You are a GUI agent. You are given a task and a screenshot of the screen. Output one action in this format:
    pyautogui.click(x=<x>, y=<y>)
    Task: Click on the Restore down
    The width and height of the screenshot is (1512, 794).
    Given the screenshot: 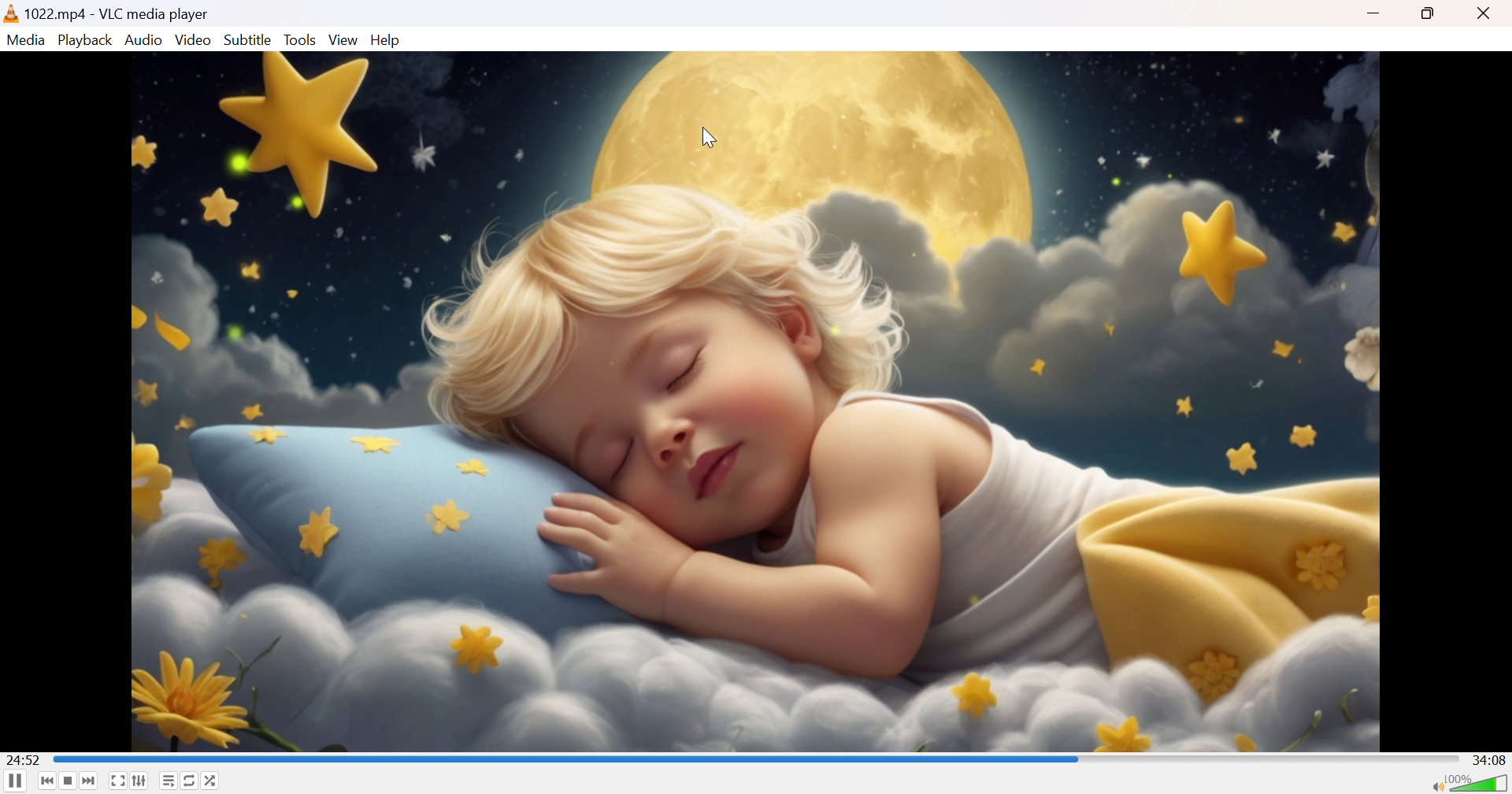 What is the action you would take?
    pyautogui.click(x=1431, y=15)
    